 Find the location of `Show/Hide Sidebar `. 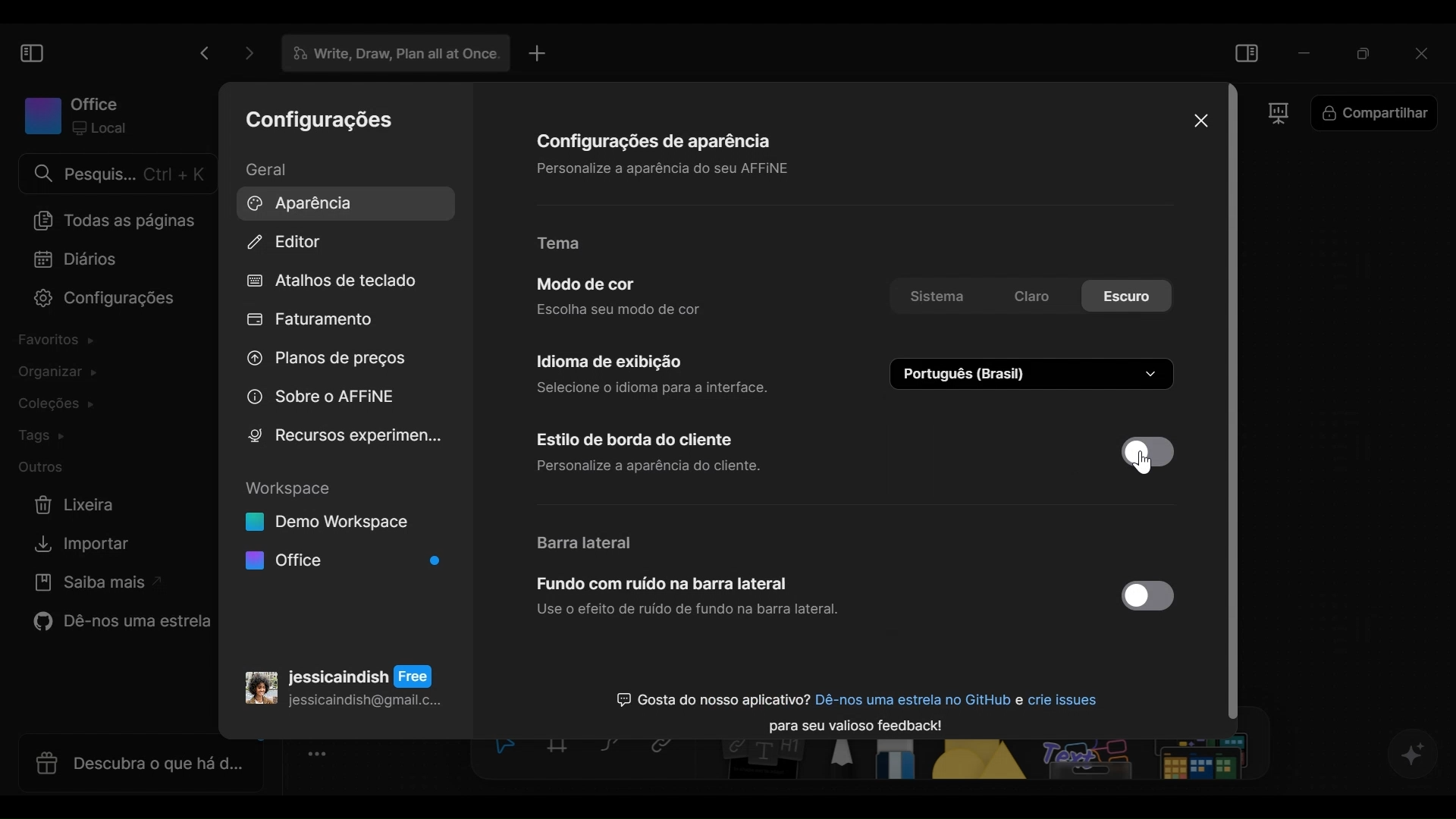

Show/Hide Sidebar  is located at coordinates (1248, 51).